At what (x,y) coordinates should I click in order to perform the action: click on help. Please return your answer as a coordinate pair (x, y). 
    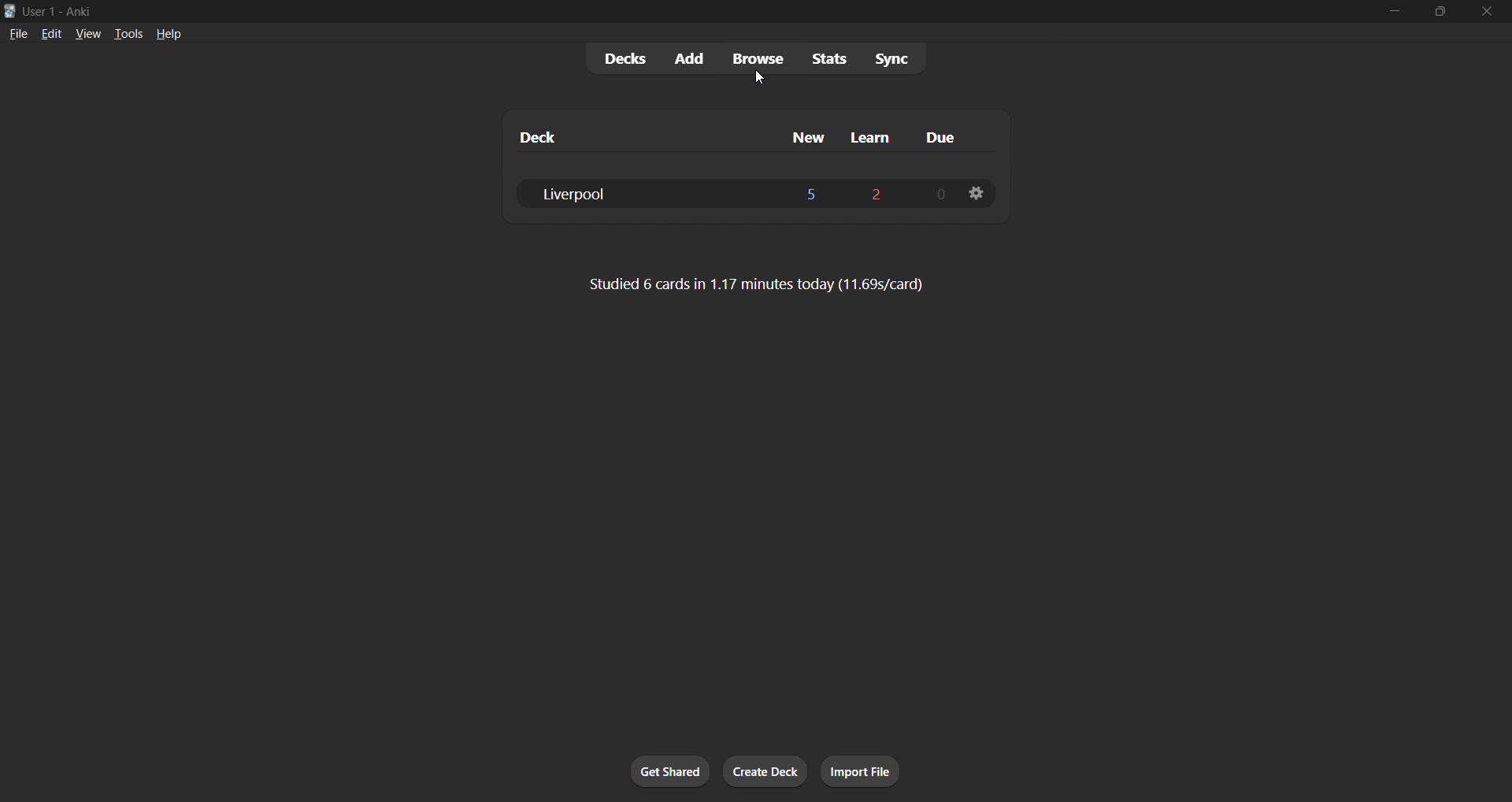
    Looking at the image, I should click on (167, 32).